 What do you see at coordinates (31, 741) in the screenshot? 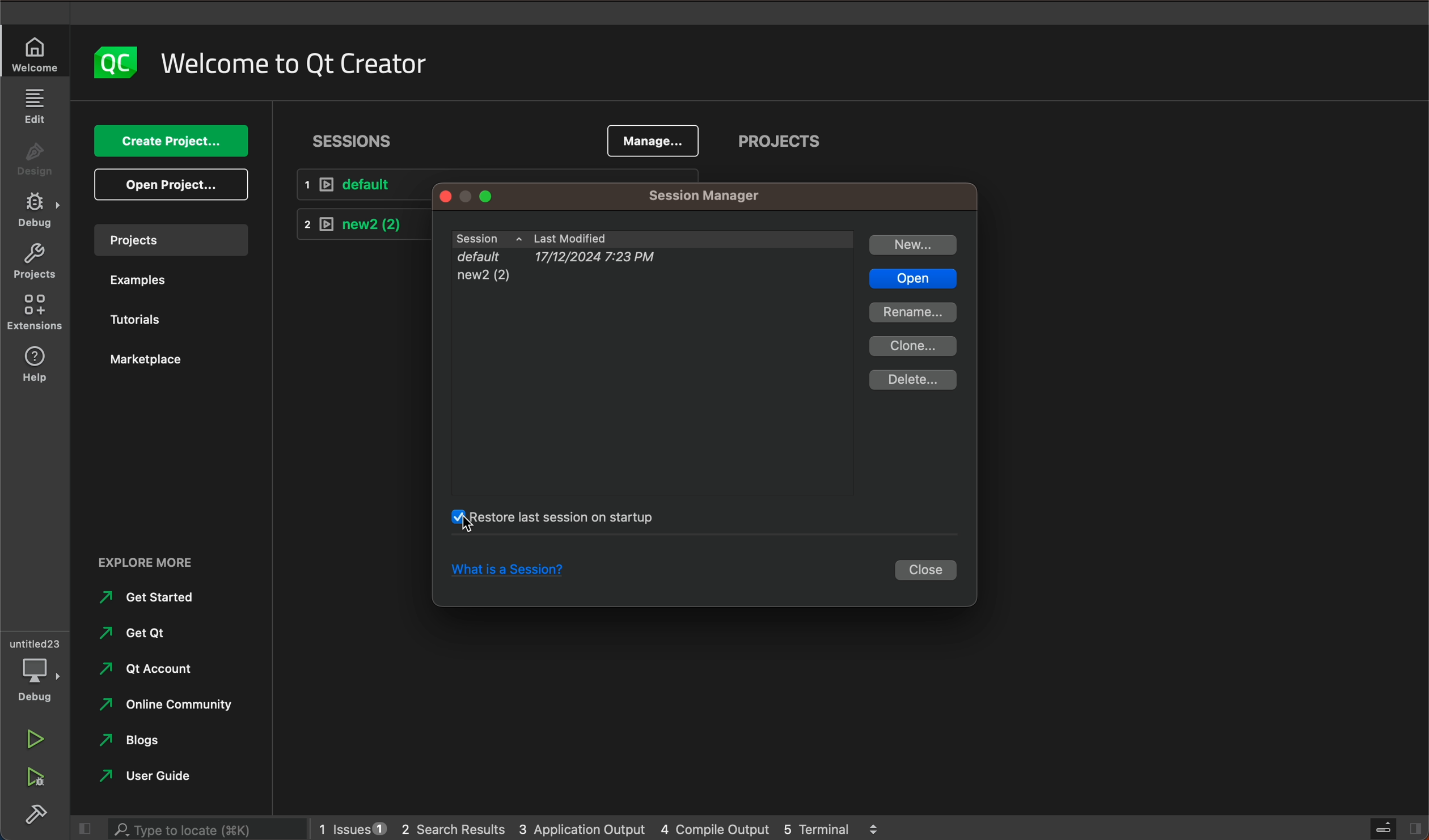
I see `run` at bounding box center [31, 741].